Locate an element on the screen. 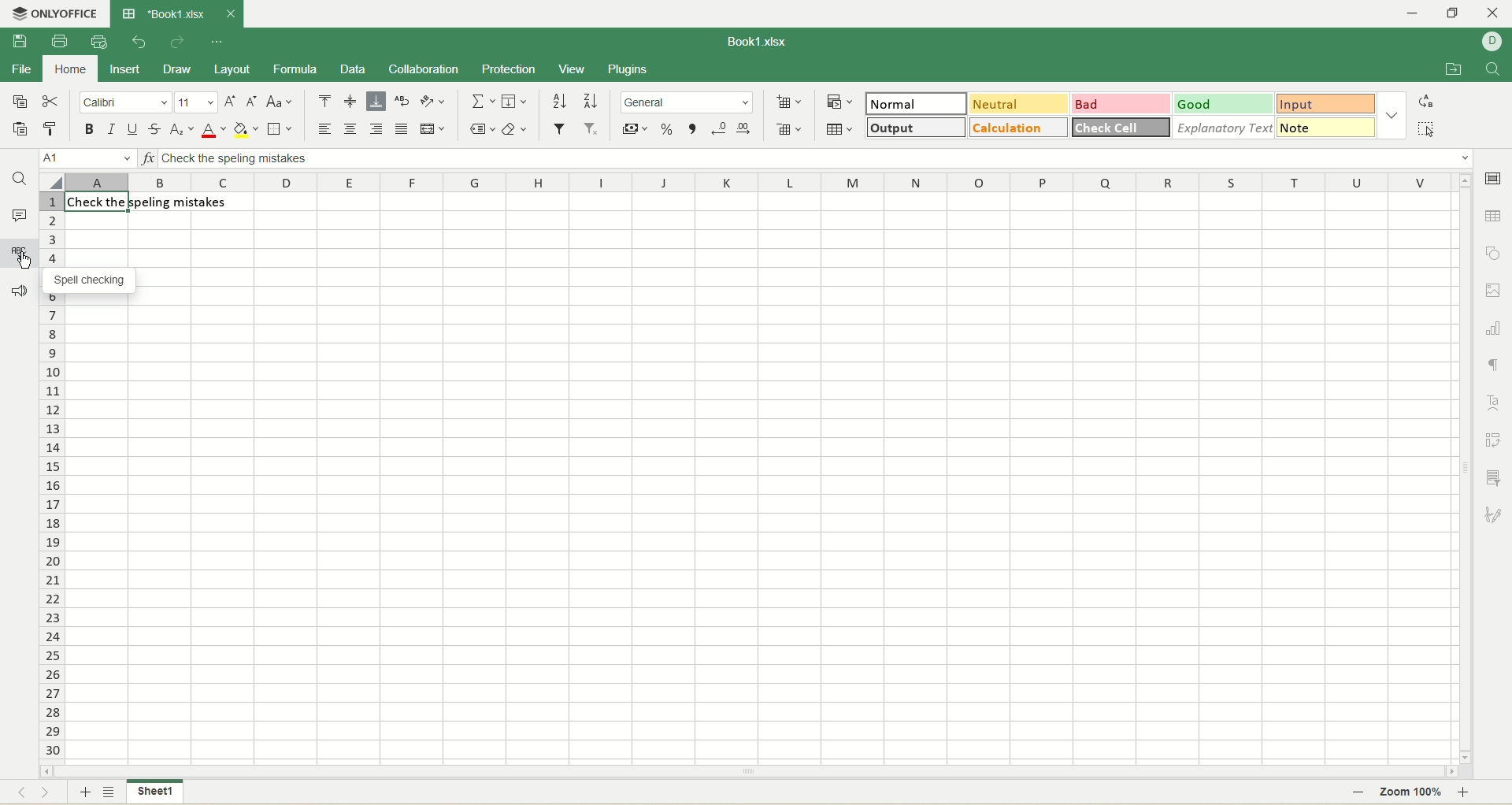 The width and height of the screenshot is (1512, 805). subscript is located at coordinates (183, 131).